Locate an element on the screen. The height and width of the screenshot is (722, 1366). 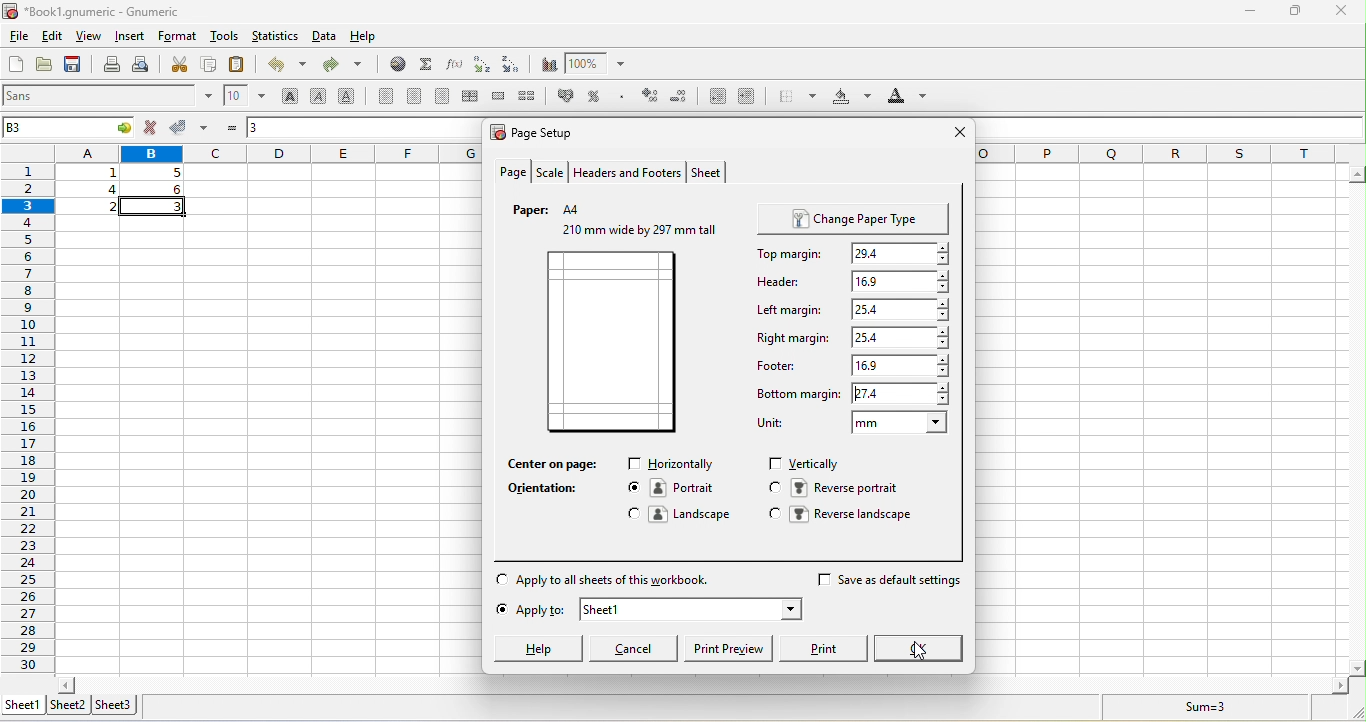
sheet 3 is located at coordinates (119, 705).